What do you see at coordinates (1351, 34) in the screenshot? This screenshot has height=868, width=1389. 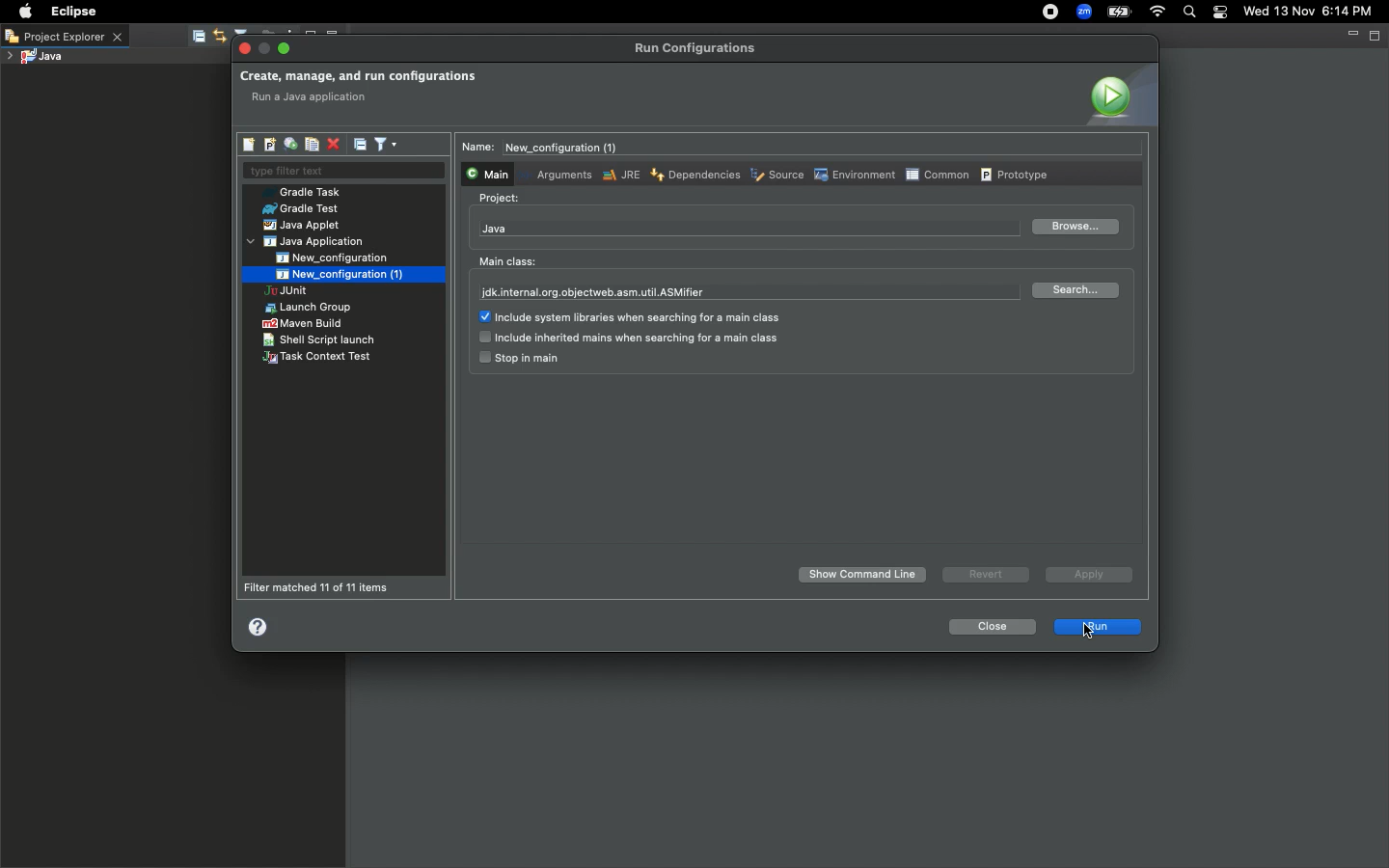 I see `Minimize` at bounding box center [1351, 34].